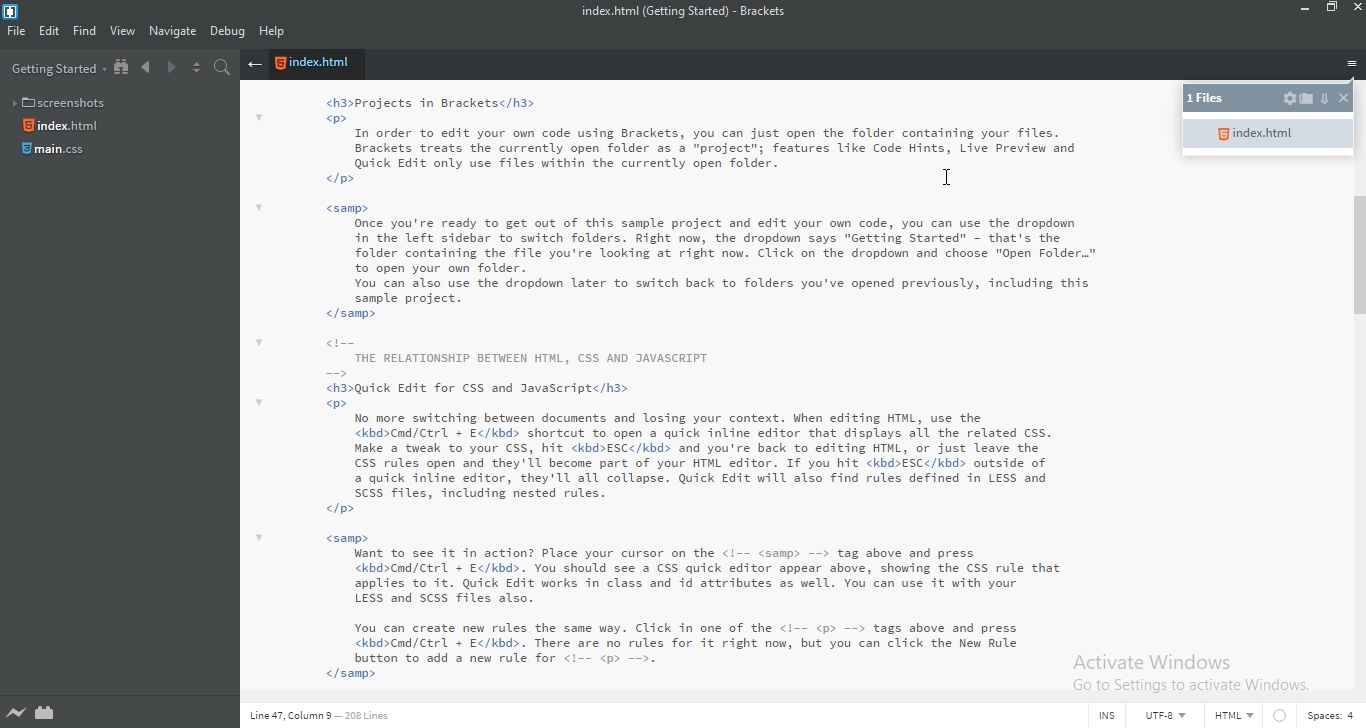  Describe the element at coordinates (691, 12) in the screenshot. I see `file name` at that location.